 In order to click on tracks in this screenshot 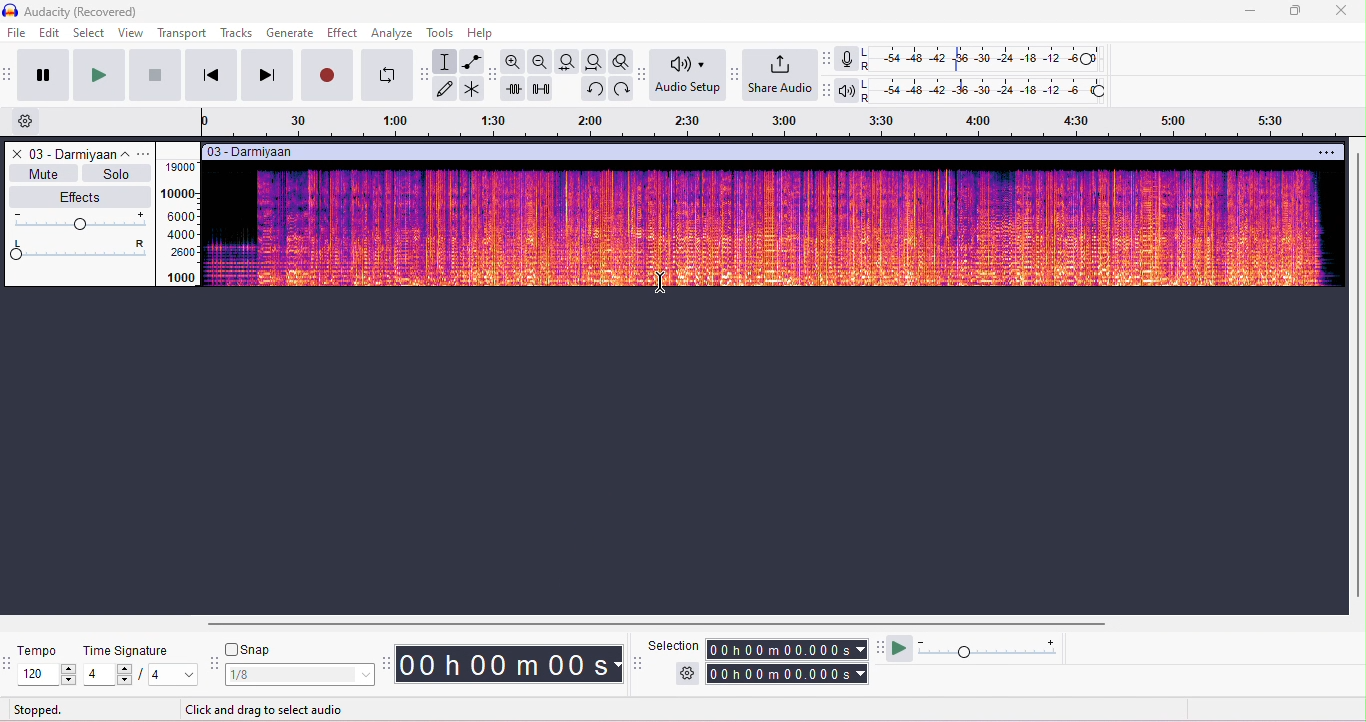, I will do `click(236, 33)`.